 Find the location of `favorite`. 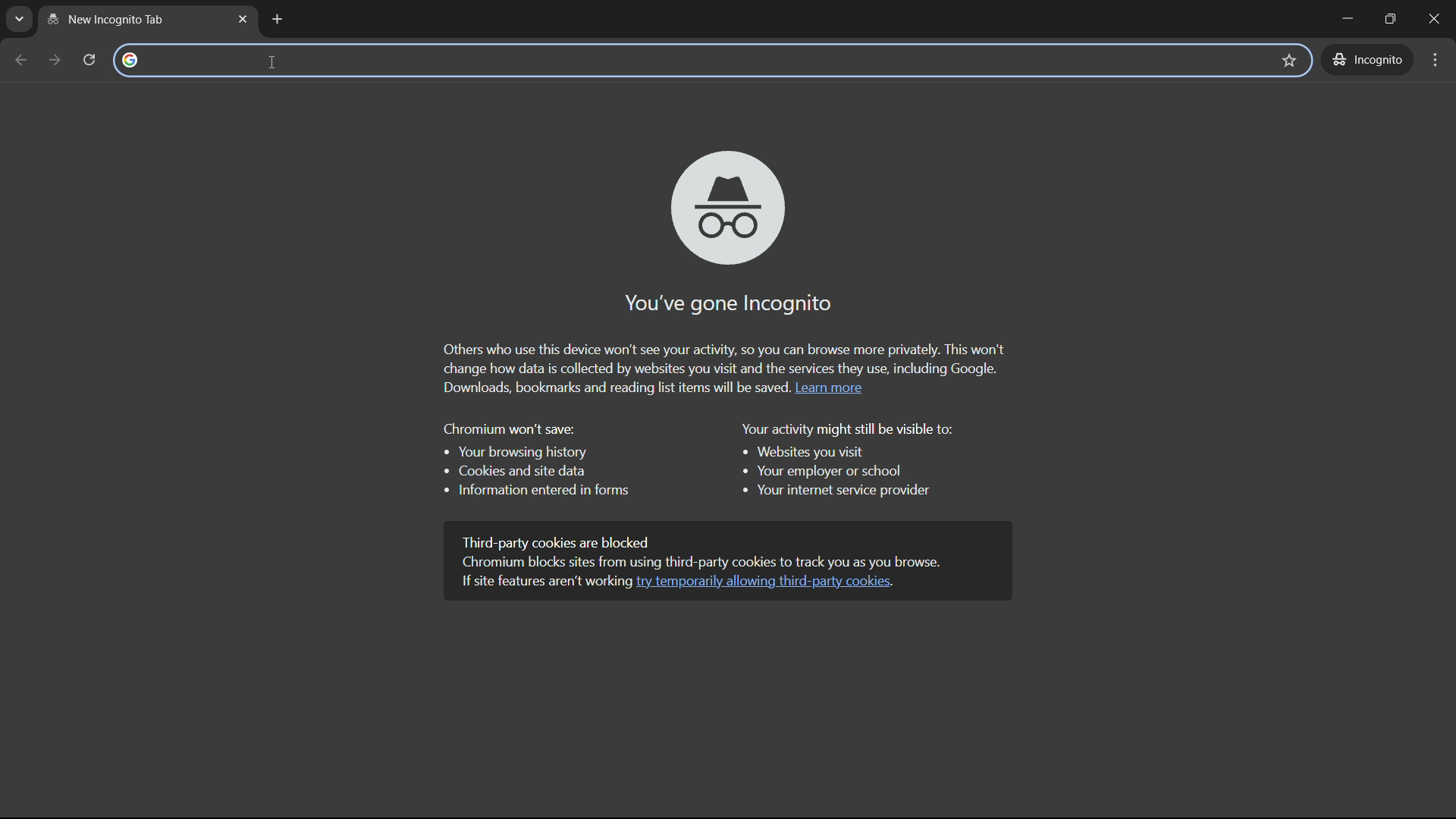

favorite is located at coordinates (1291, 59).